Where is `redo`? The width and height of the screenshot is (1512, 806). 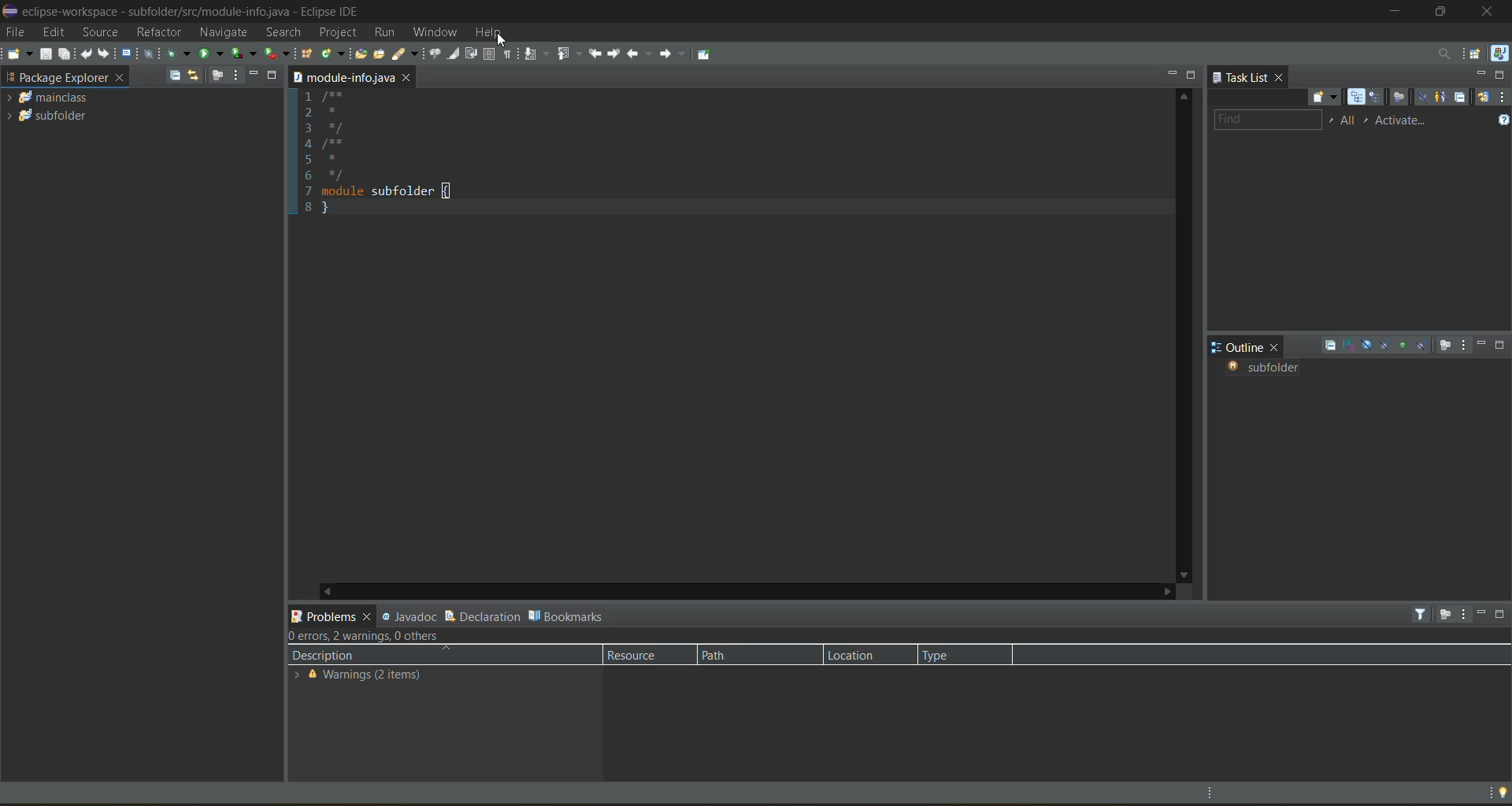
redo is located at coordinates (107, 53).